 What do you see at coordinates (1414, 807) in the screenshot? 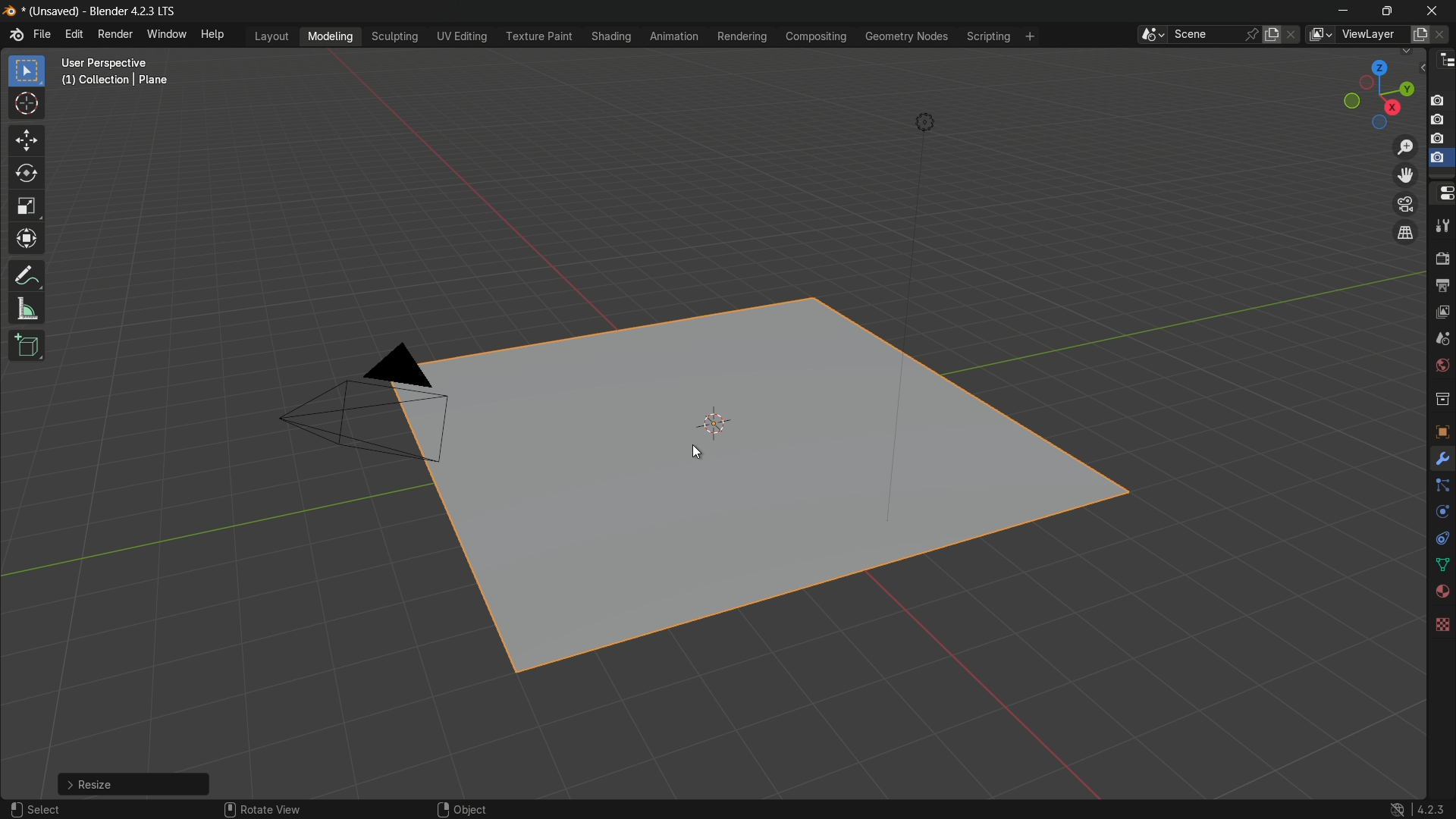
I see `4.2.3` at bounding box center [1414, 807].